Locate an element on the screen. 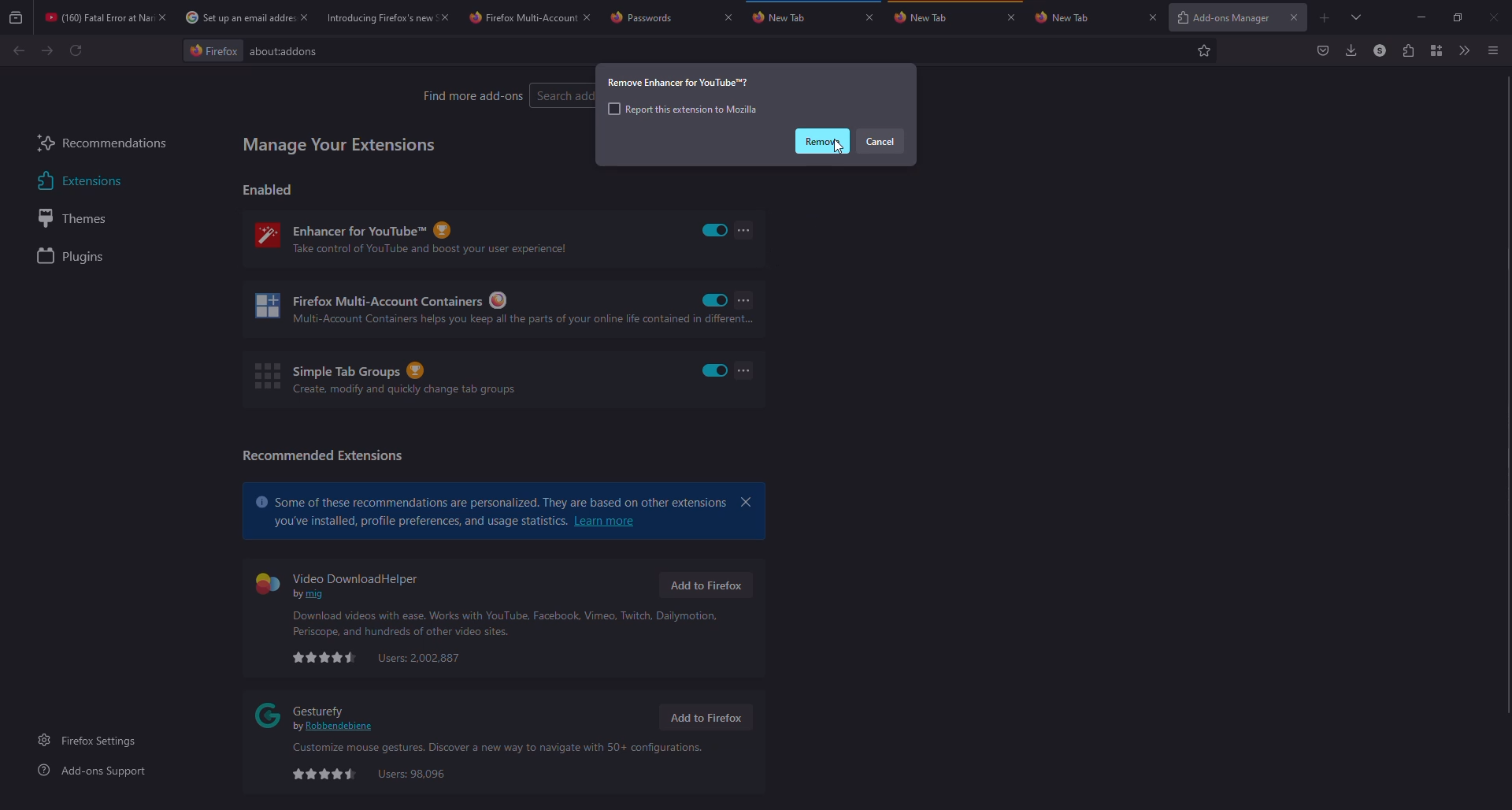 This screenshot has width=1512, height=810. tab is located at coordinates (658, 17).